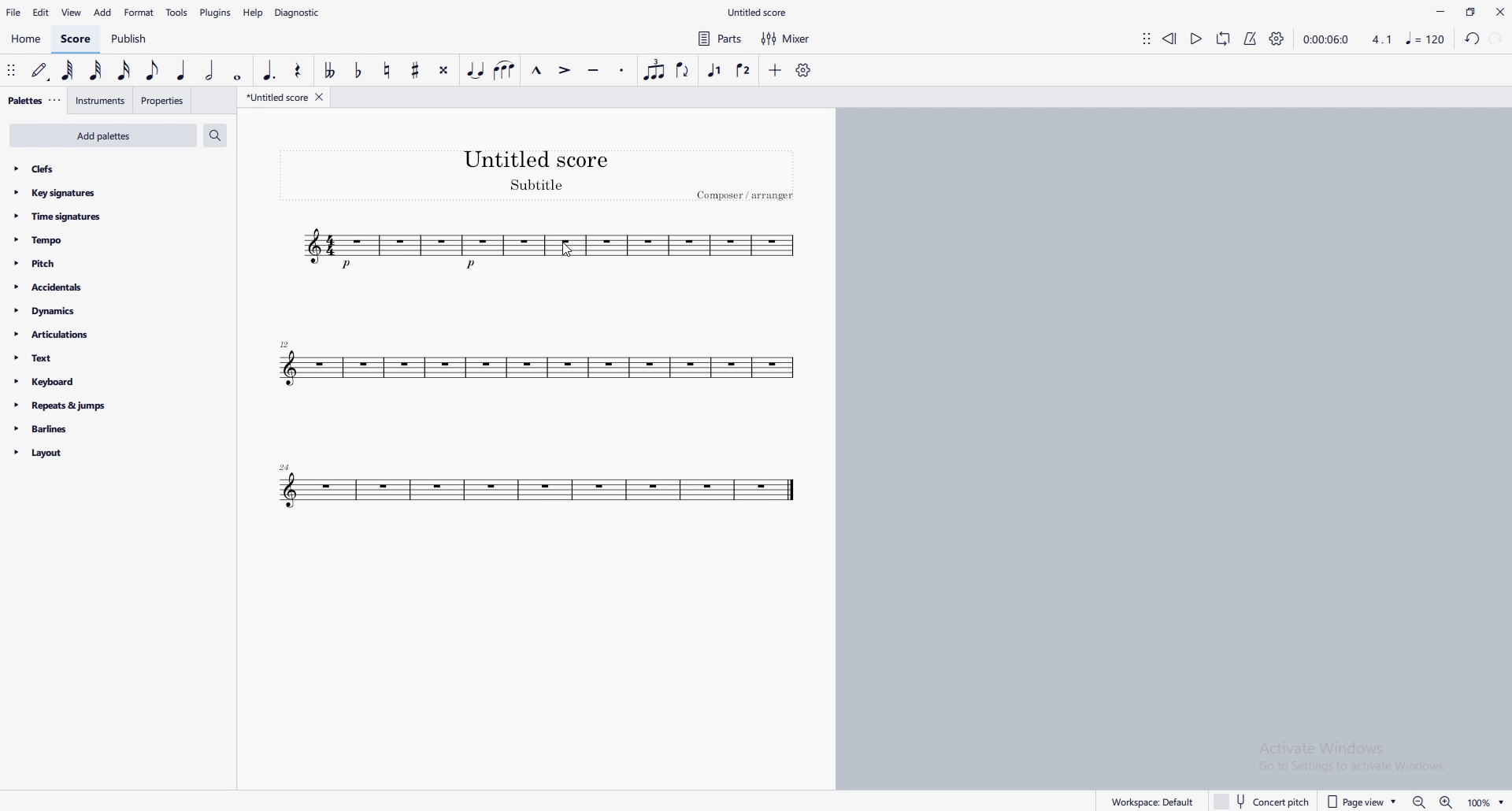 The image size is (1512, 811). What do you see at coordinates (298, 70) in the screenshot?
I see `rest` at bounding box center [298, 70].